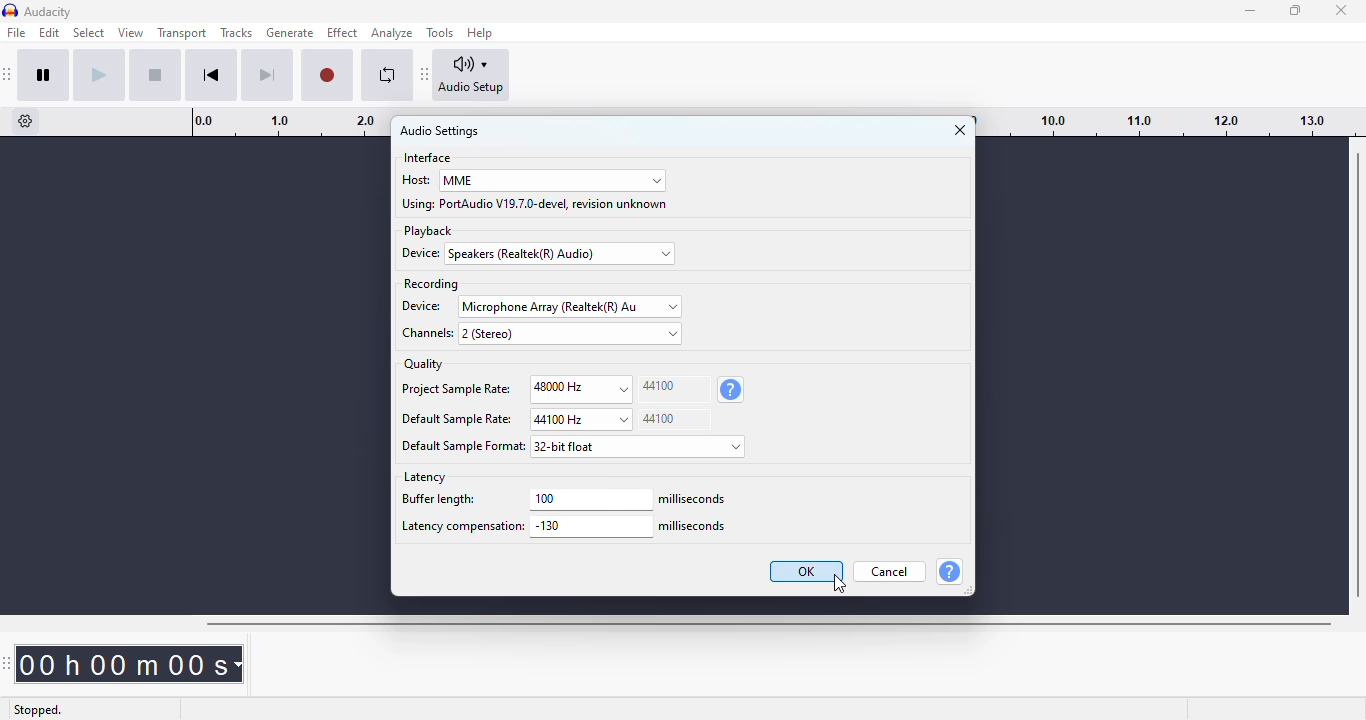 The height and width of the screenshot is (720, 1366). Describe the element at coordinates (17, 32) in the screenshot. I see `file` at that location.